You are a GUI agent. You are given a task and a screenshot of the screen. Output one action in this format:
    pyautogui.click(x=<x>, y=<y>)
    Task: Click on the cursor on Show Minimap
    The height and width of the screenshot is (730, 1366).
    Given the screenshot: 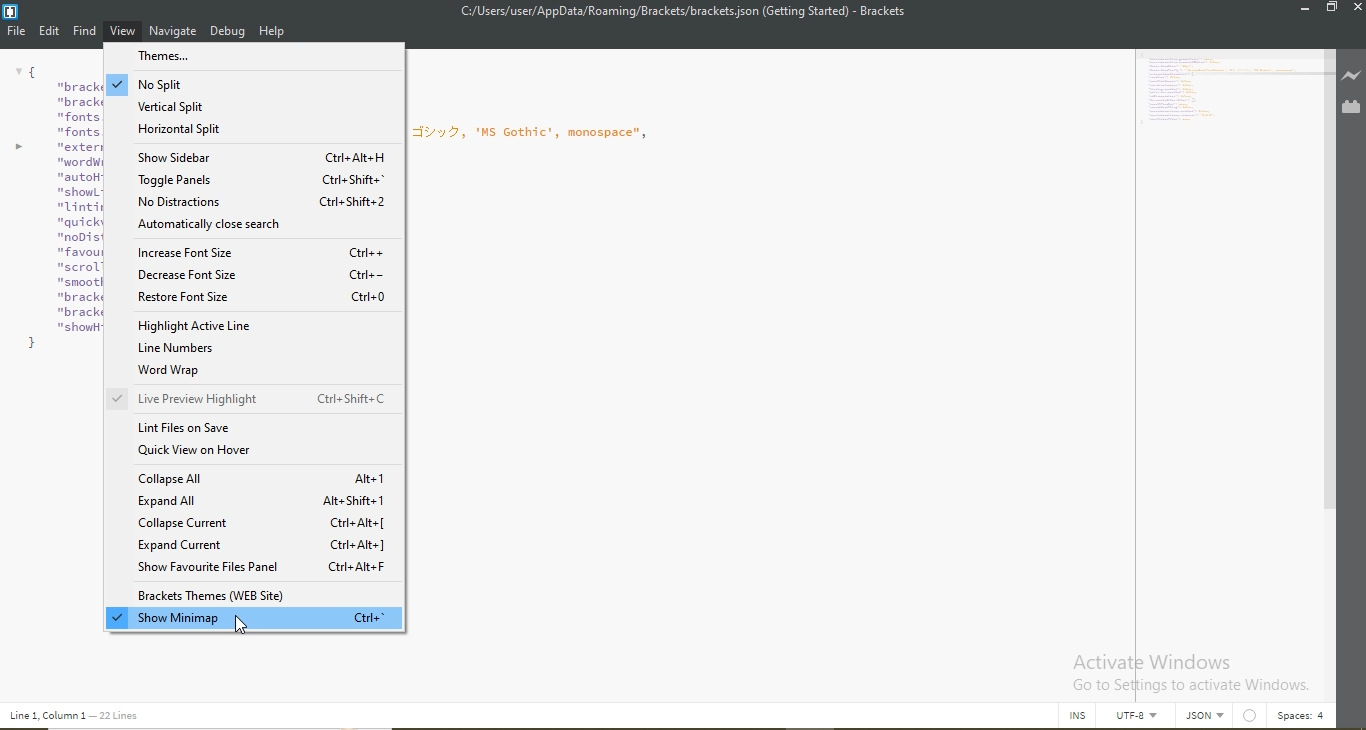 What is the action you would take?
    pyautogui.click(x=242, y=626)
    